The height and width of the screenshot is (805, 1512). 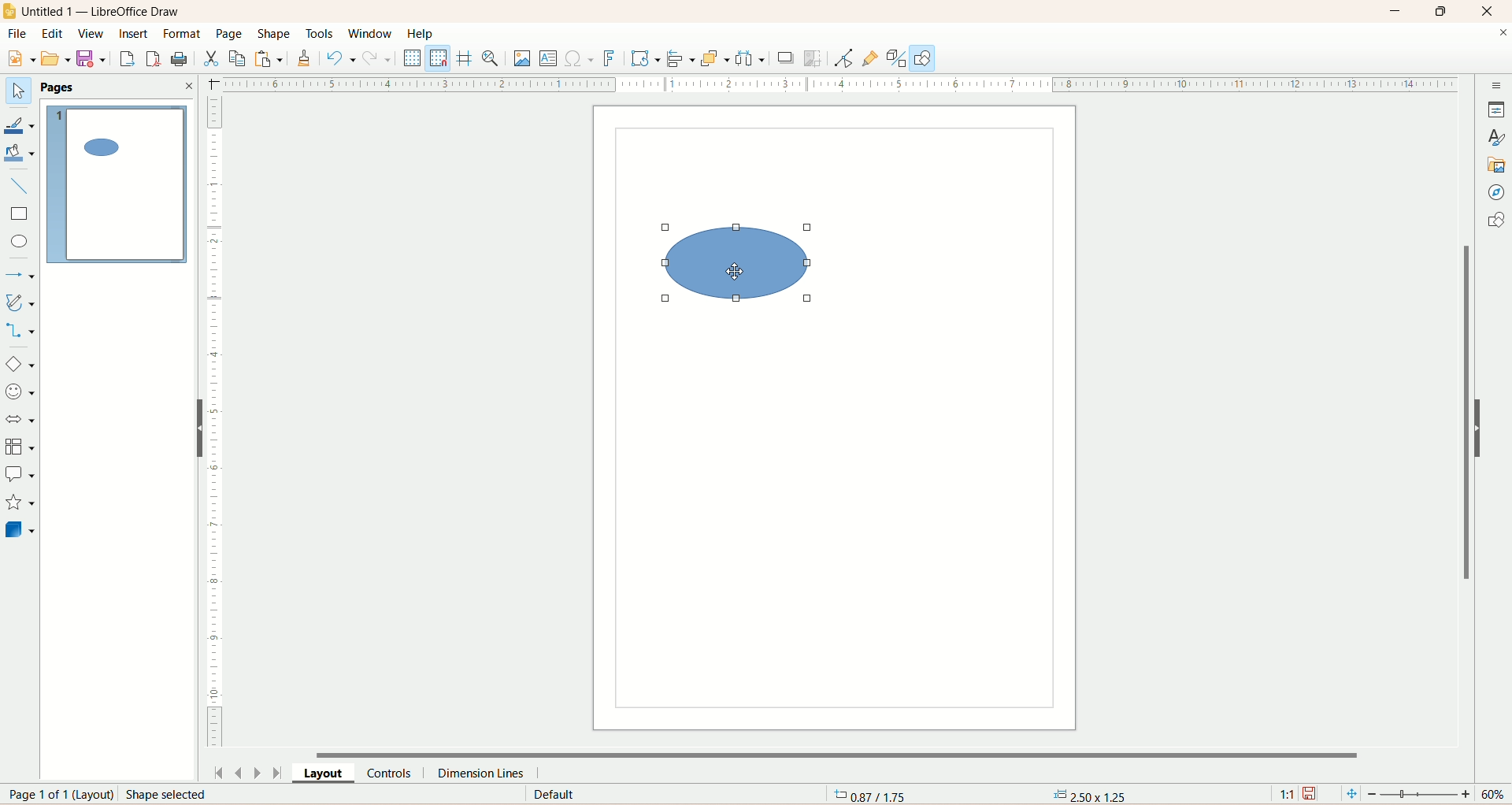 I want to click on insert line, so click(x=19, y=185).